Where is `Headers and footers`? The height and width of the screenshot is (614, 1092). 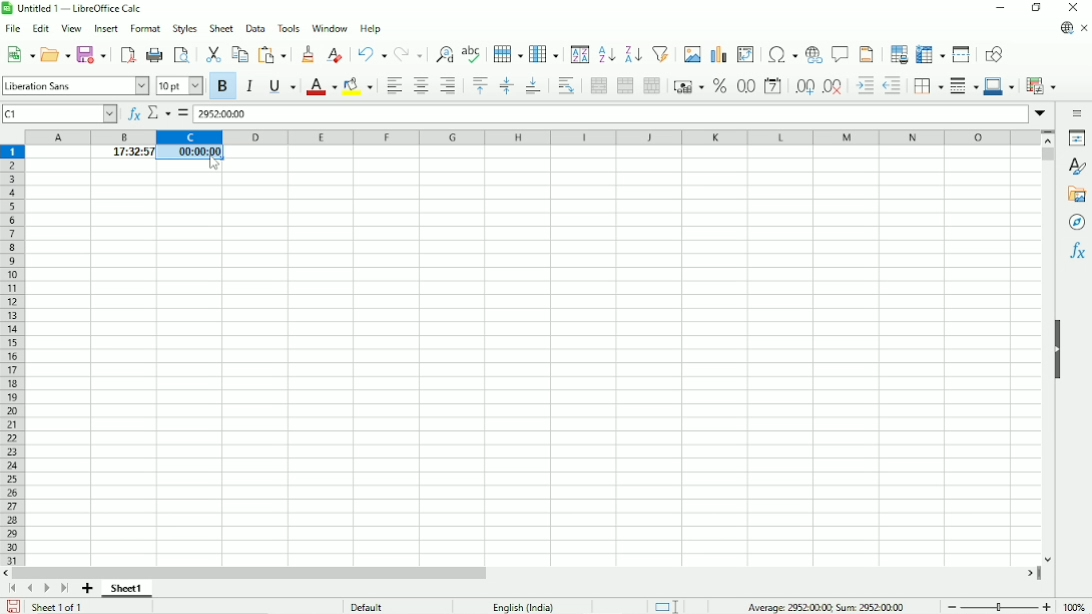
Headers and footers is located at coordinates (867, 54).